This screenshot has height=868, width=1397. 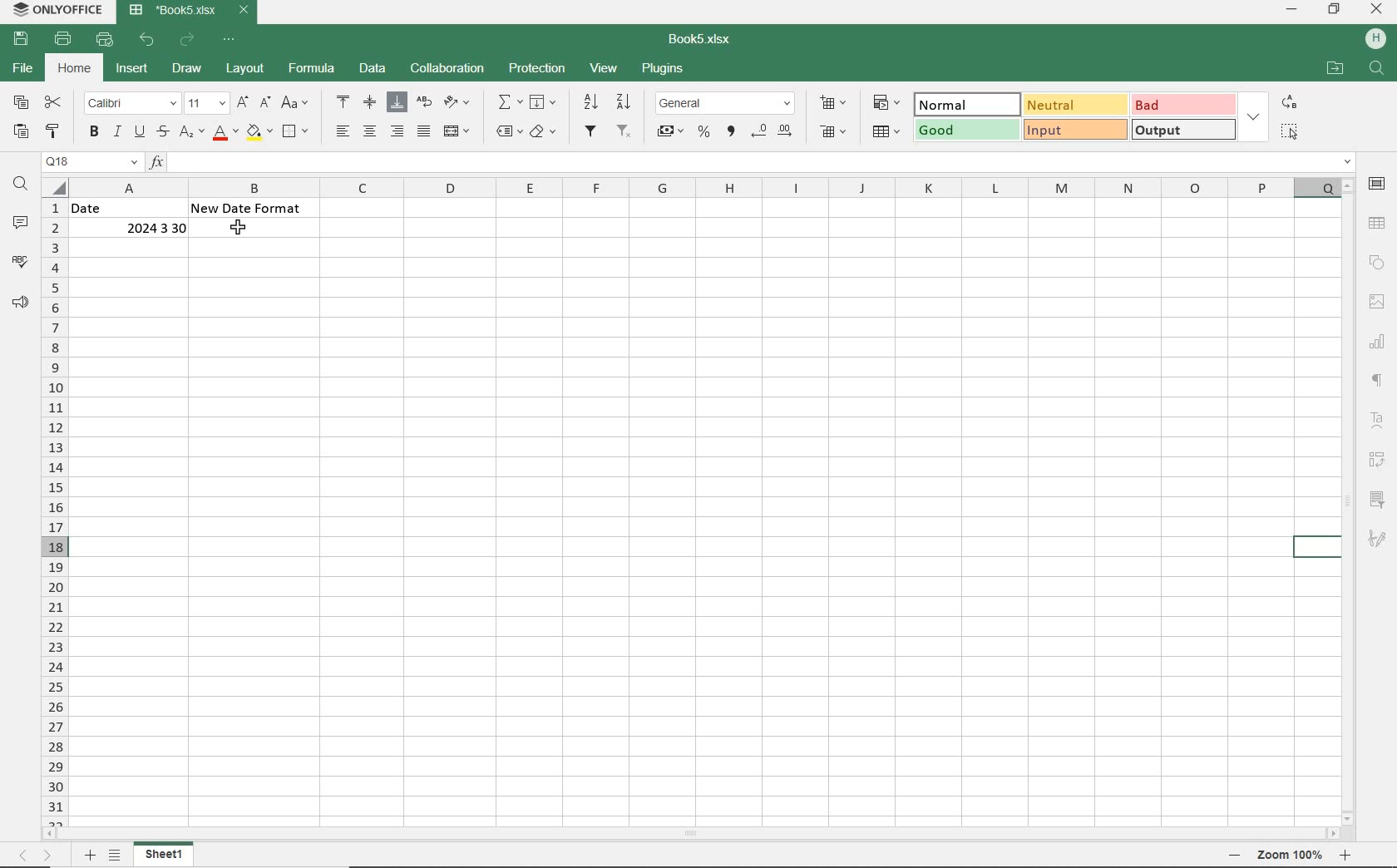 I want to click on SYSTEM NAME, so click(x=57, y=9).